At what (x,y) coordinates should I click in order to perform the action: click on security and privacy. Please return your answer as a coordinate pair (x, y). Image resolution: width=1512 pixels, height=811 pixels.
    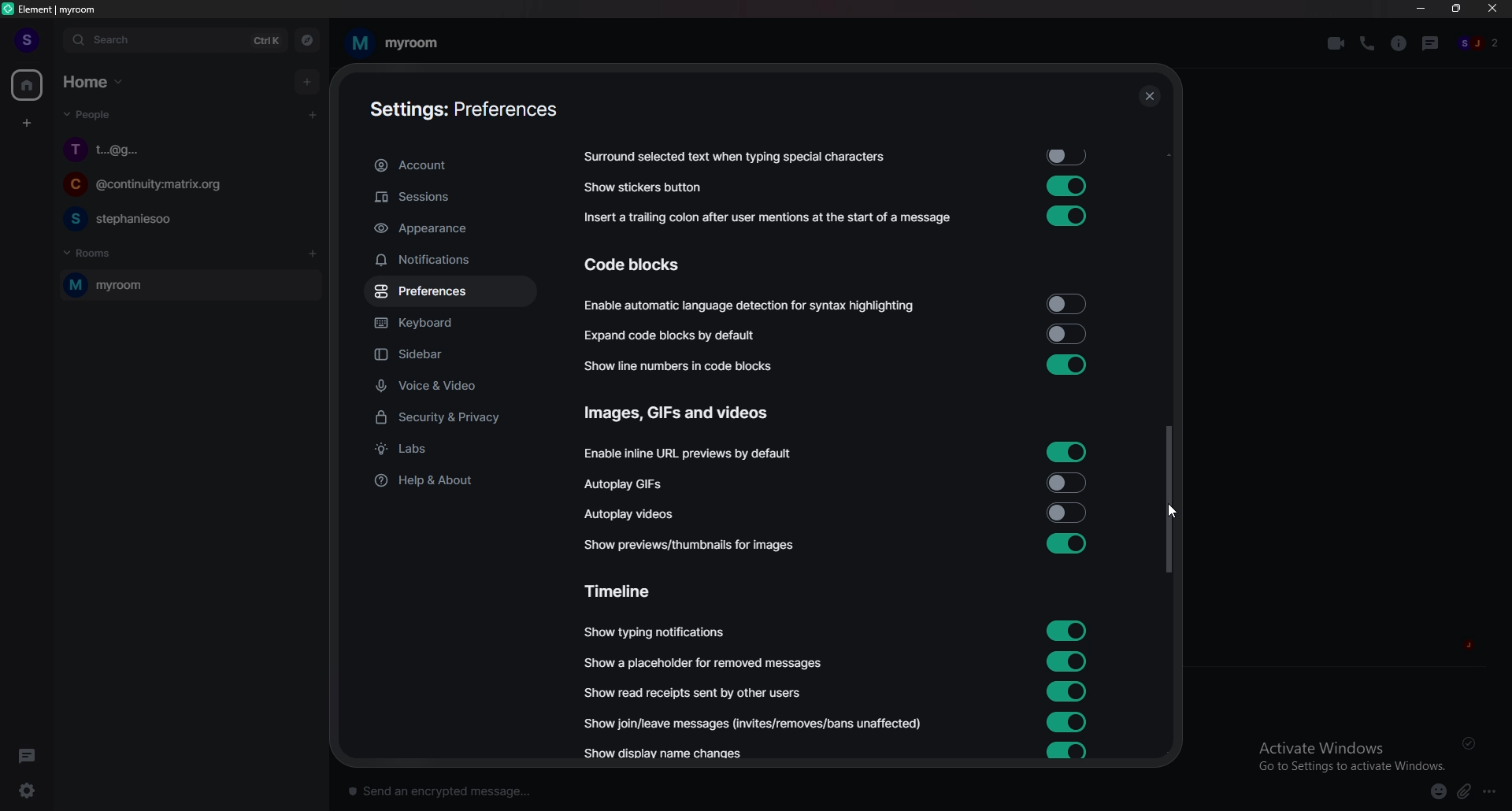
    Looking at the image, I should click on (451, 419).